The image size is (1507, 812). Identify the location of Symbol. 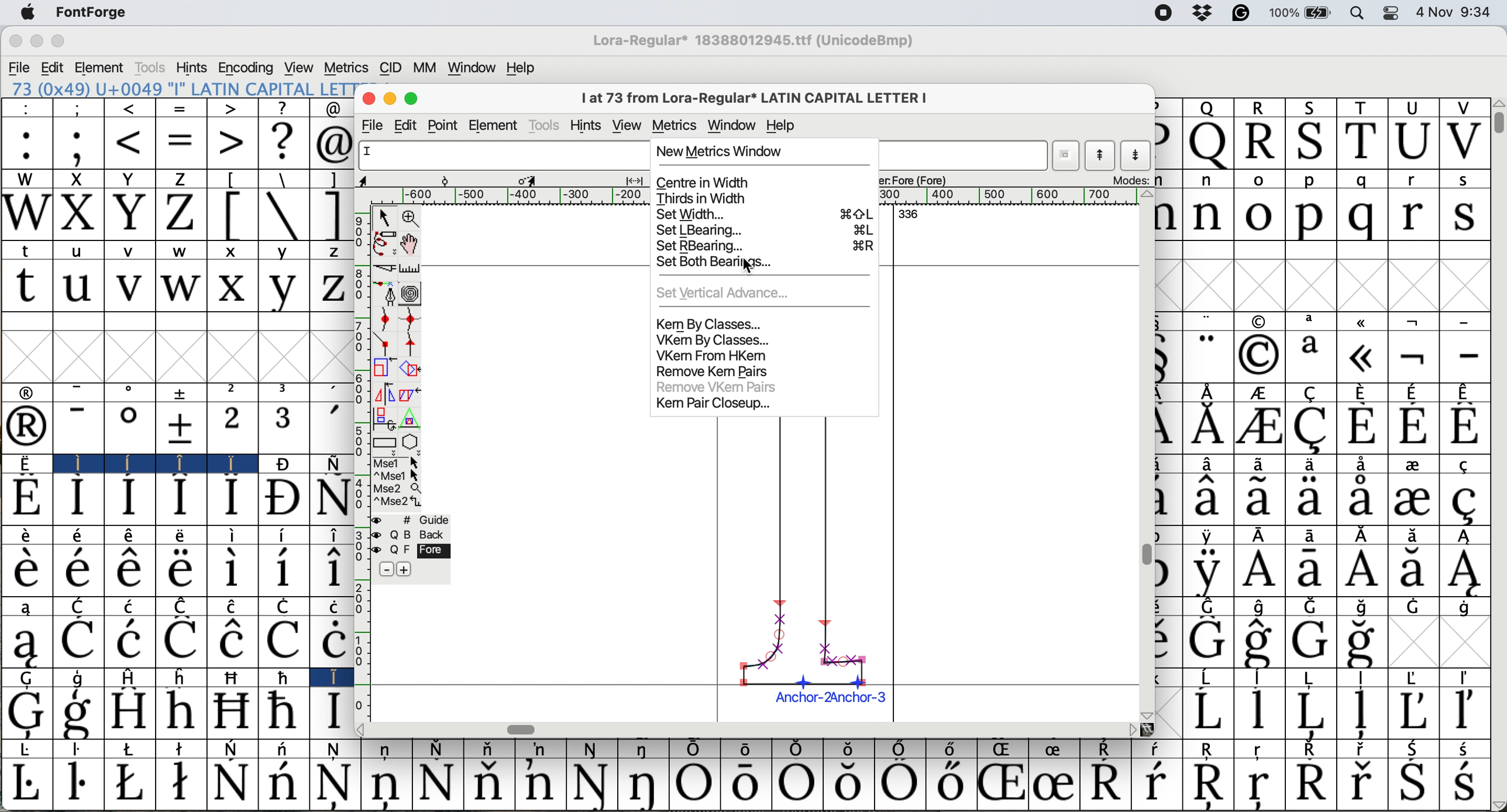
(128, 641).